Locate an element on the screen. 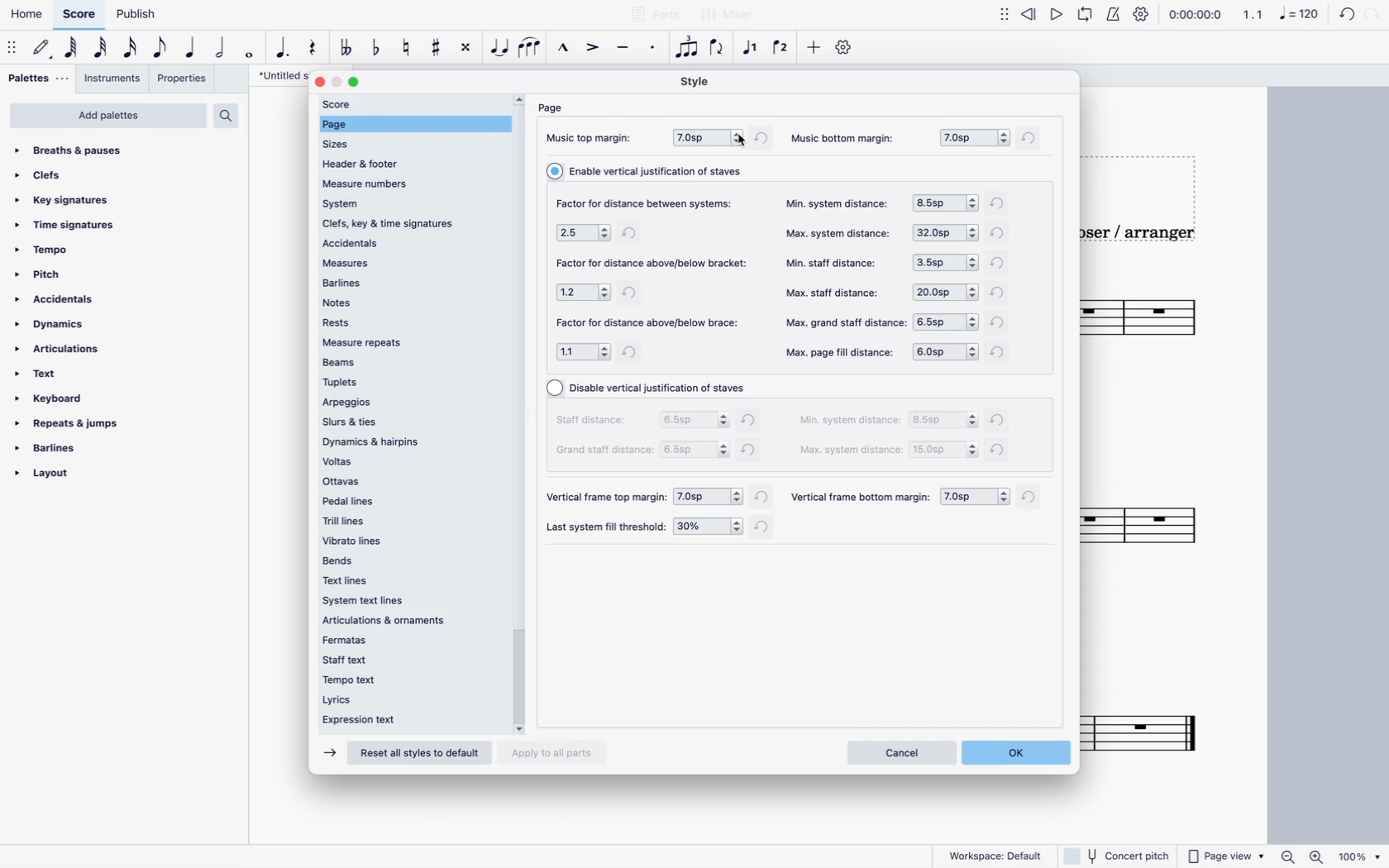 This screenshot has width=1389, height=868. grand staff distance is located at coordinates (605, 451).